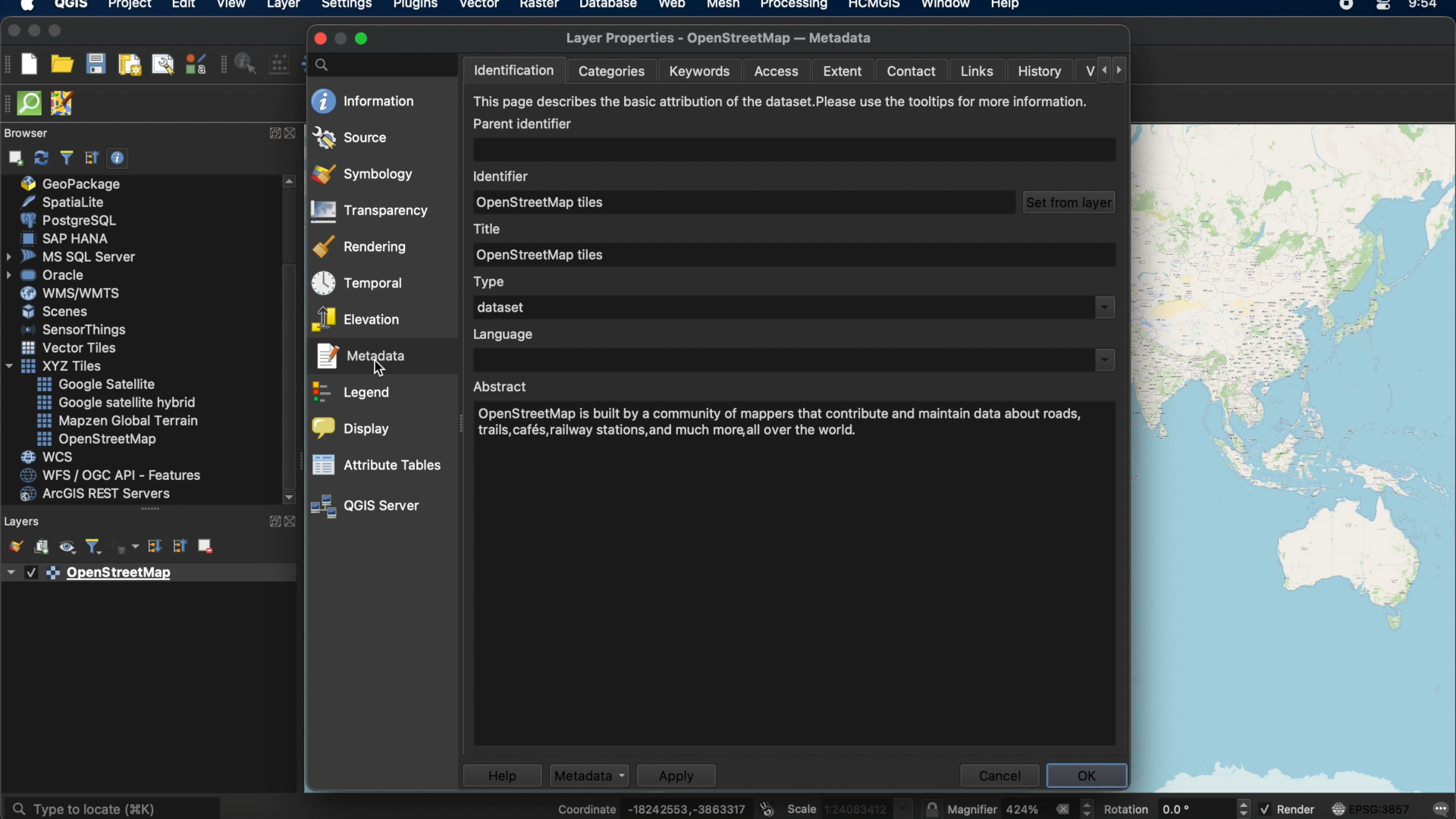 Image resolution: width=1456 pixels, height=819 pixels. I want to click on collapse all, so click(178, 548).